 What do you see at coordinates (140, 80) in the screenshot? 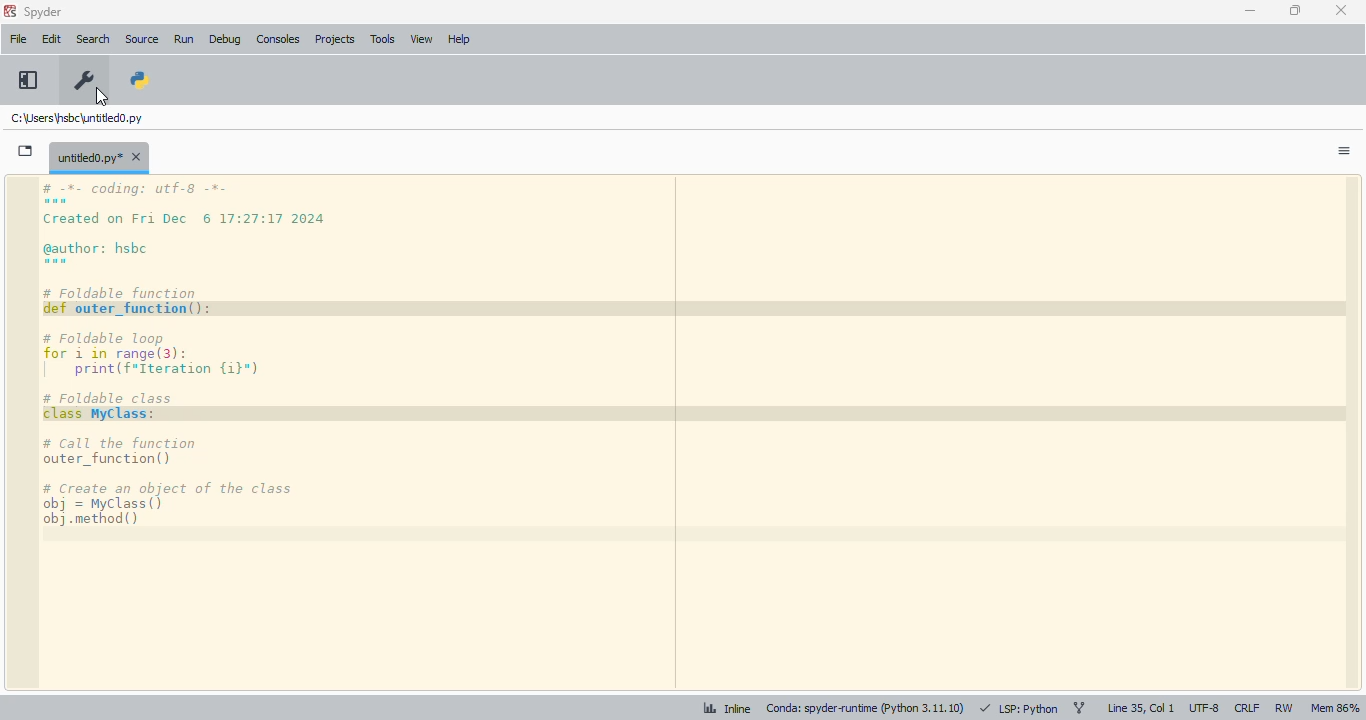
I see `PYTHONPATH manager` at bounding box center [140, 80].